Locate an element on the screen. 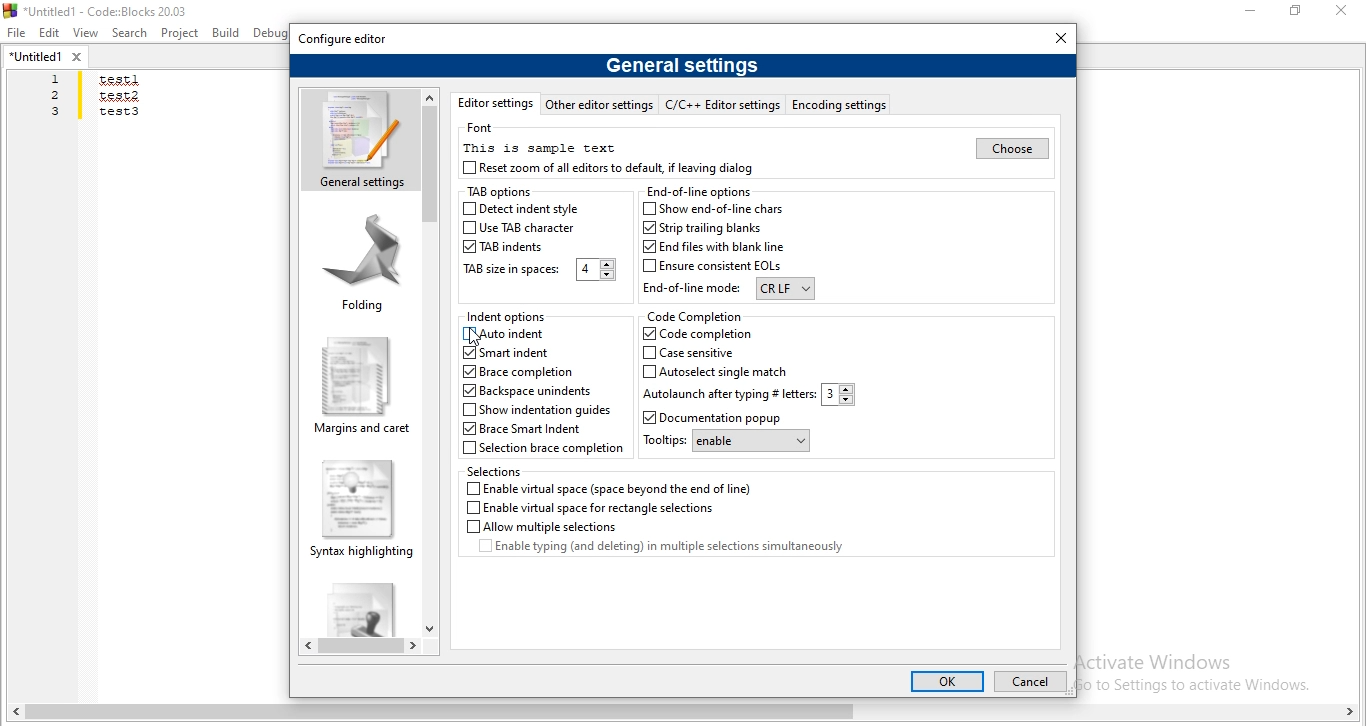  Restore is located at coordinates (1297, 10).